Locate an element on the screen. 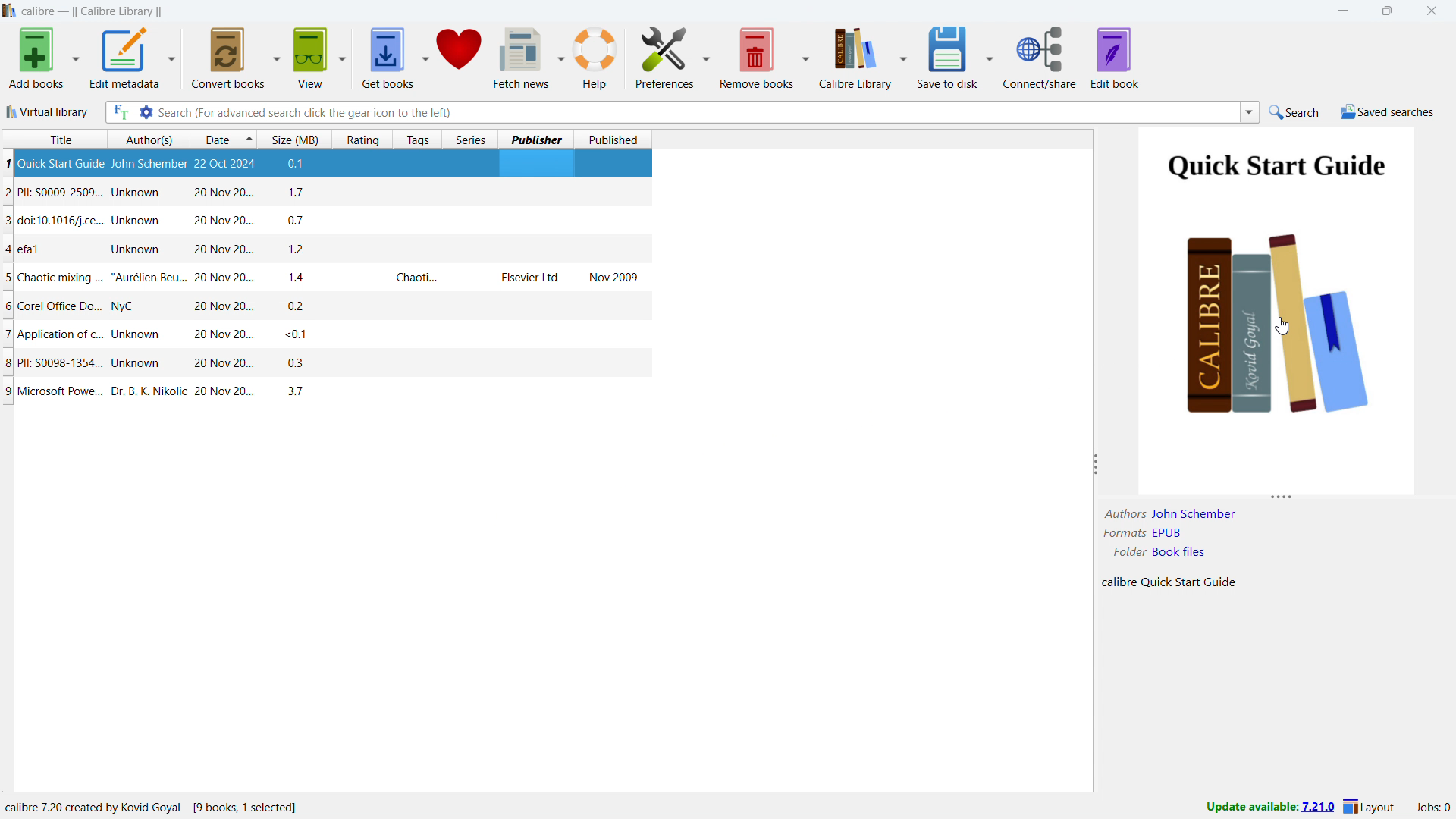 The width and height of the screenshot is (1456, 819). 22 Oct 2024 is located at coordinates (231, 165).